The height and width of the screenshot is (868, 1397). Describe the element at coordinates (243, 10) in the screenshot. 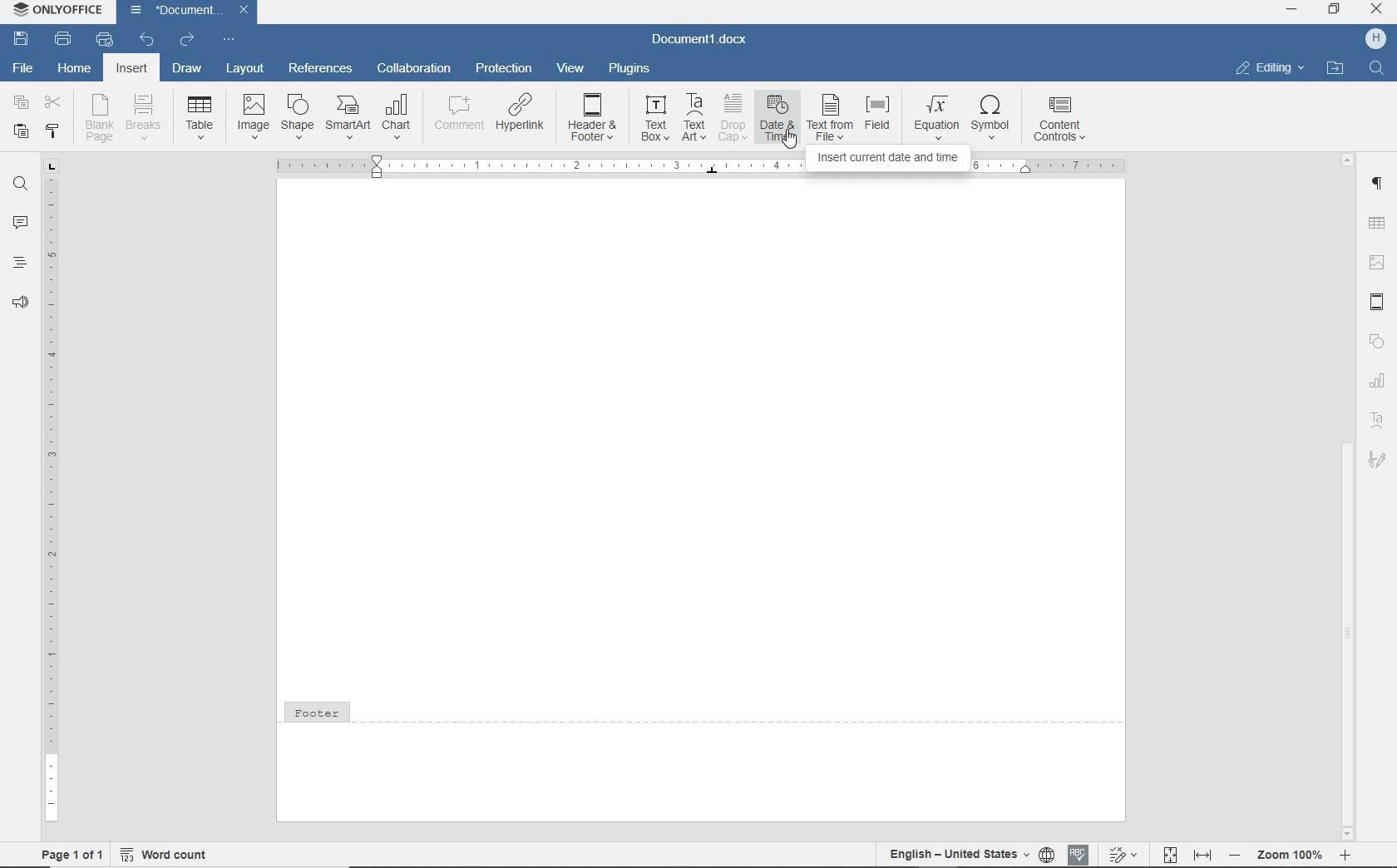

I see `Close` at that location.